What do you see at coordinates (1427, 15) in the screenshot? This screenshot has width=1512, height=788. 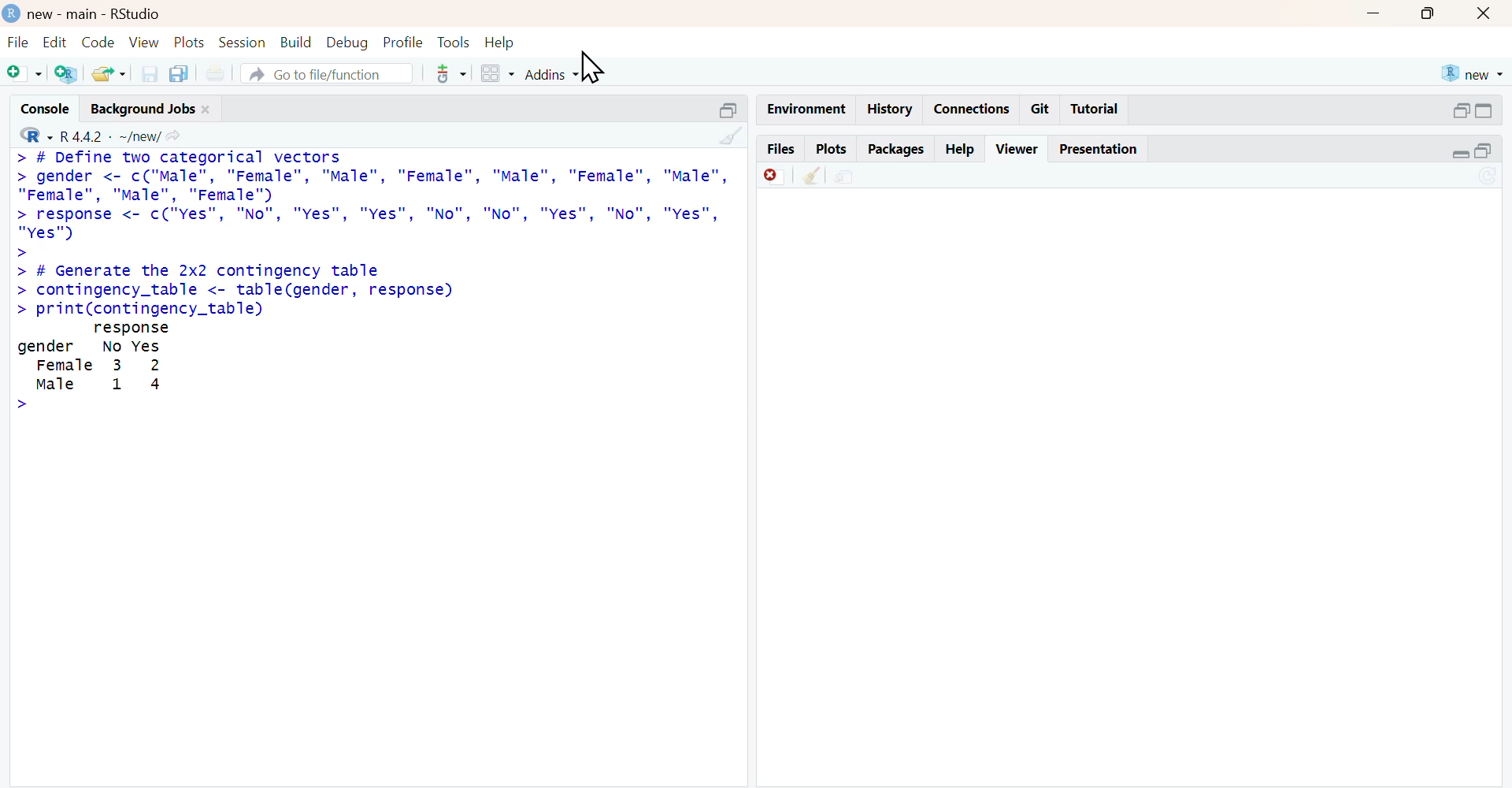 I see `maximise` at bounding box center [1427, 15].